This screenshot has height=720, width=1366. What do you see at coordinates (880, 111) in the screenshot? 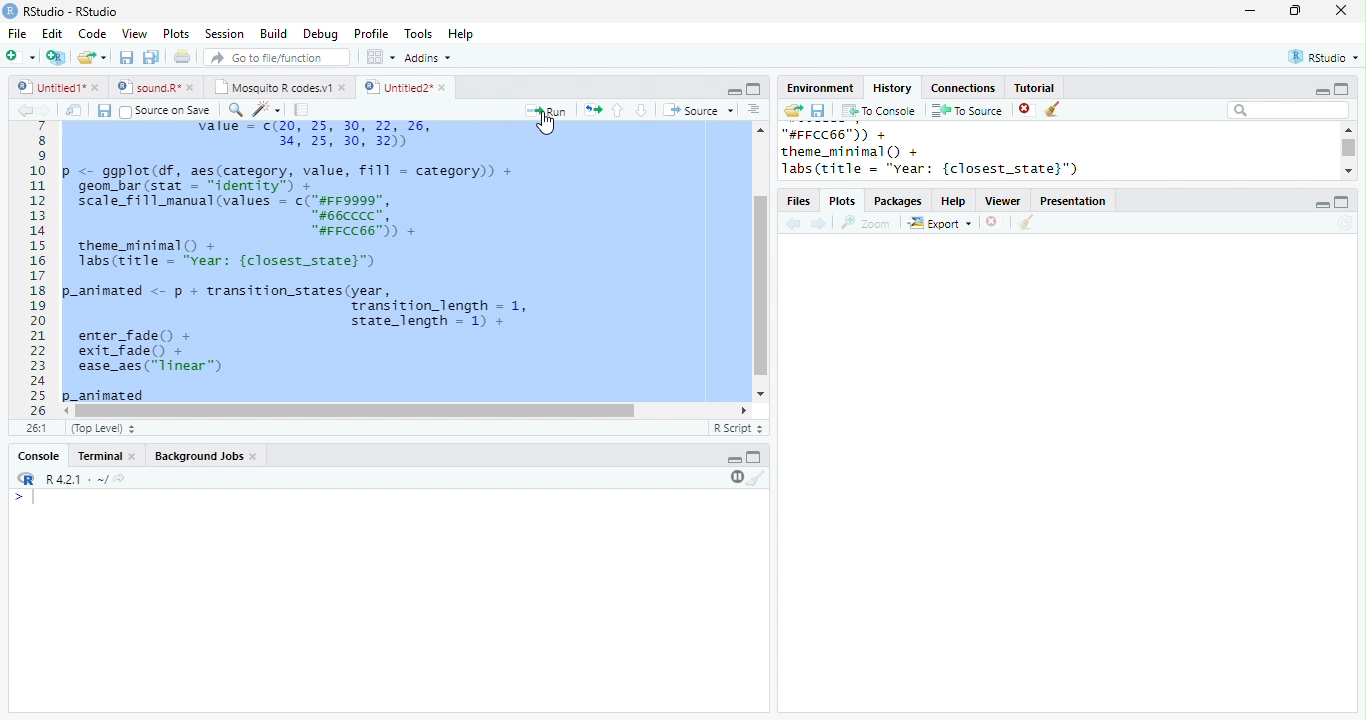
I see `To Console` at bounding box center [880, 111].